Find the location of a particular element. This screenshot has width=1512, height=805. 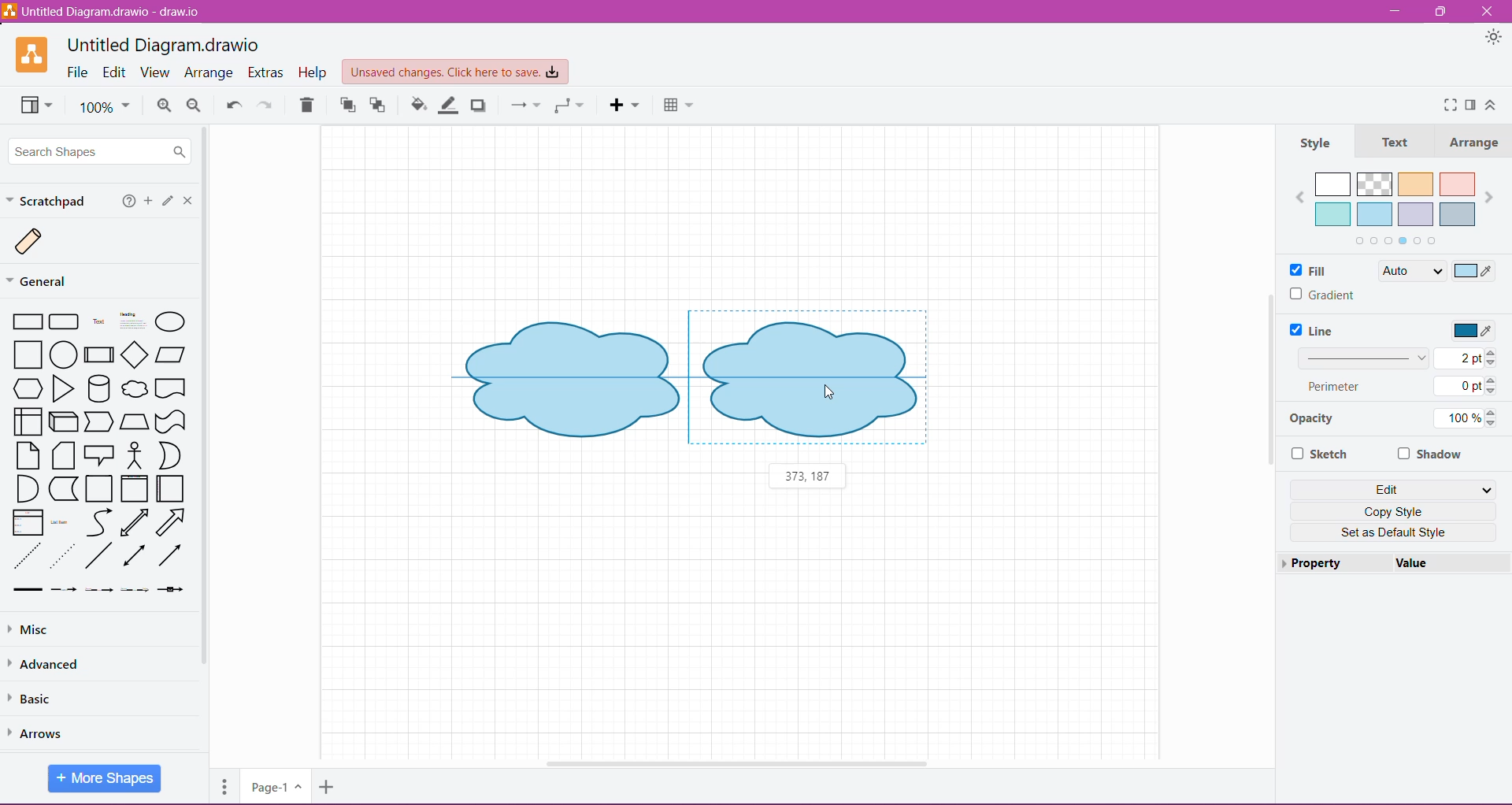

Zoom Out is located at coordinates (195, 106).